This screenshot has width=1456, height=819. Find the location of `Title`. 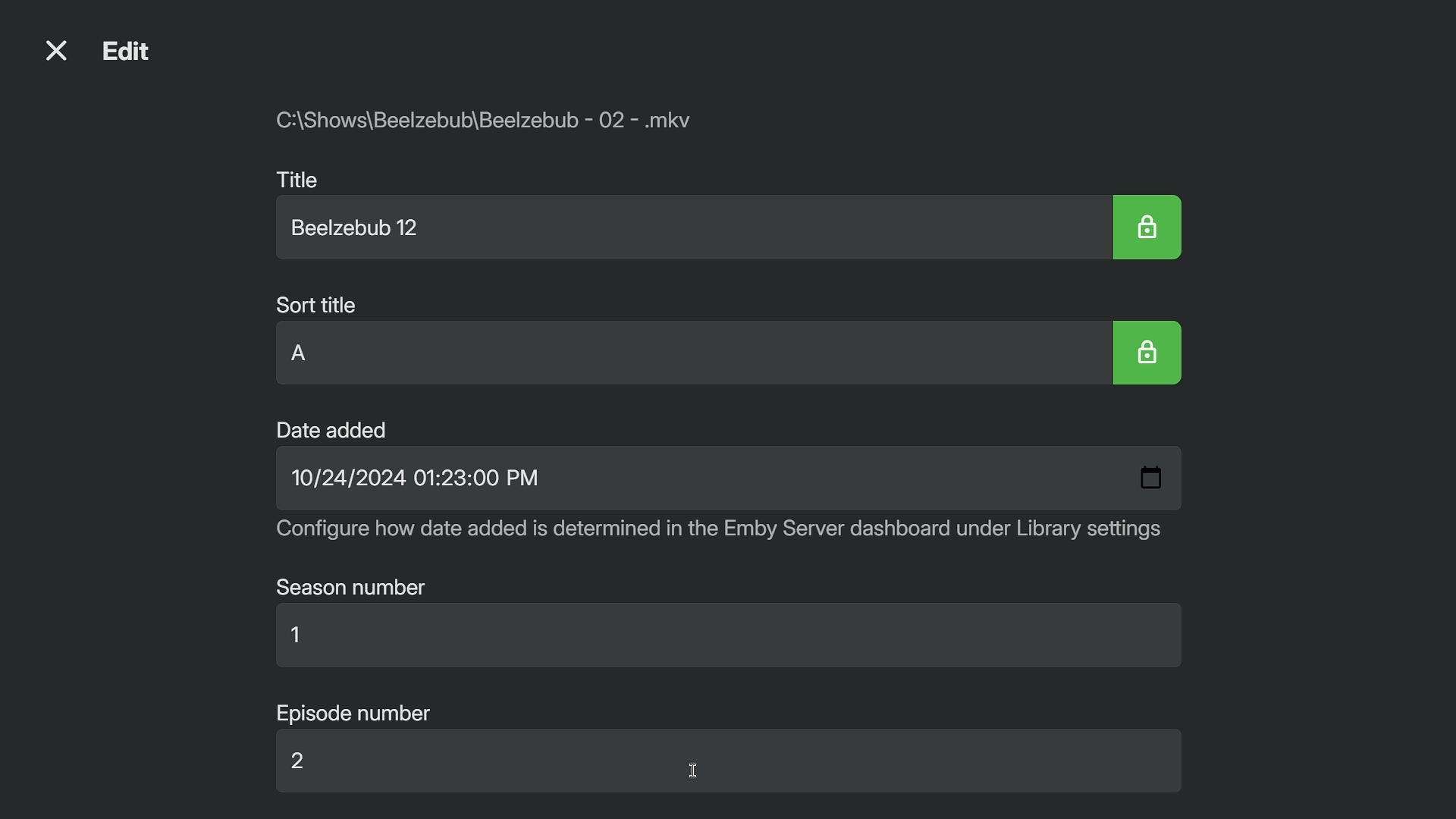

Title is located at coordinates (299, 175).